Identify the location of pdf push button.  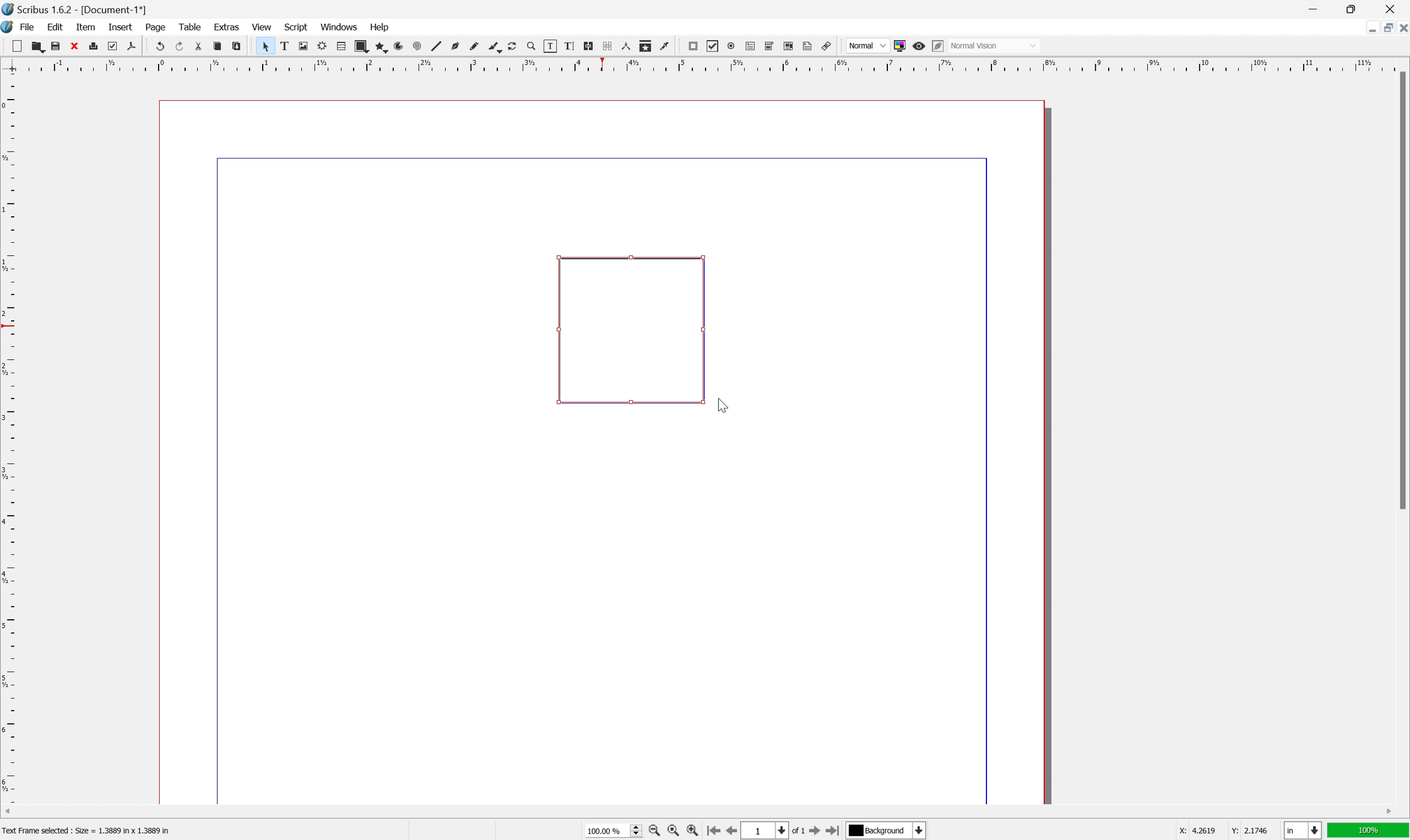
(693, 46).